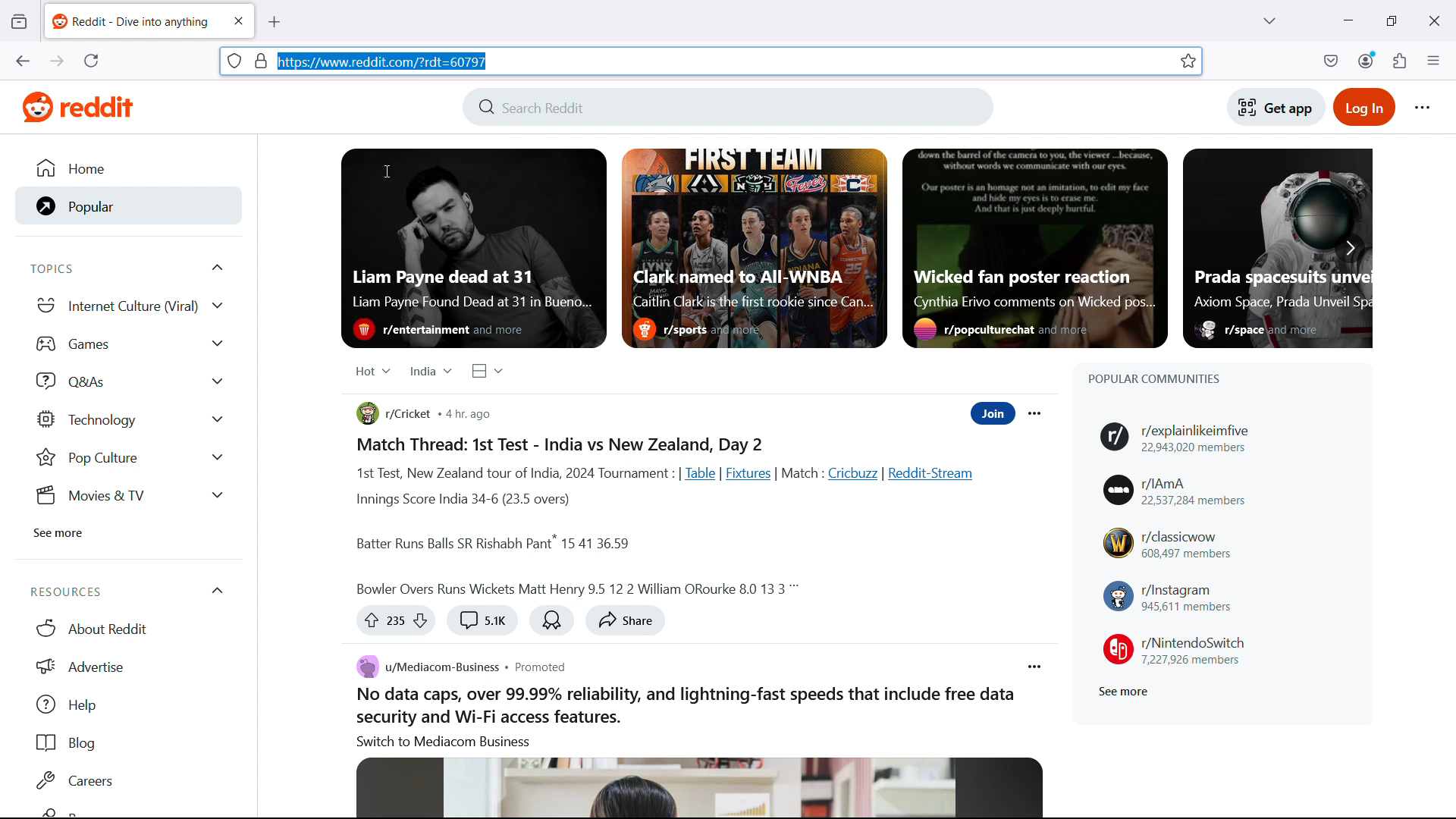 The height and width of the screenshot is (819, 1456). I want to click on share, so click(626, 621).